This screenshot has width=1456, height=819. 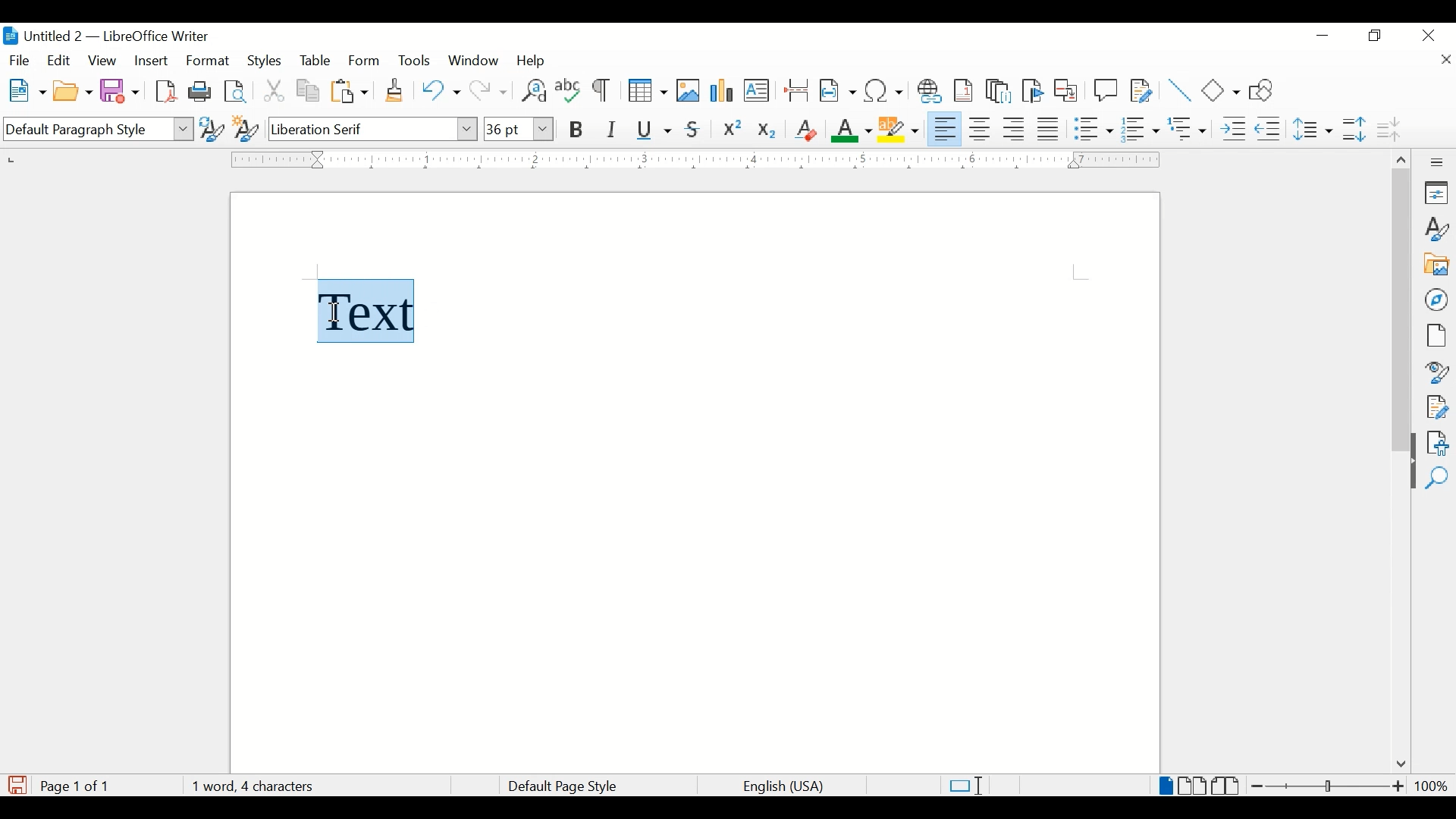 I want to click on insert hyperlink, so click(x=930, y=91).